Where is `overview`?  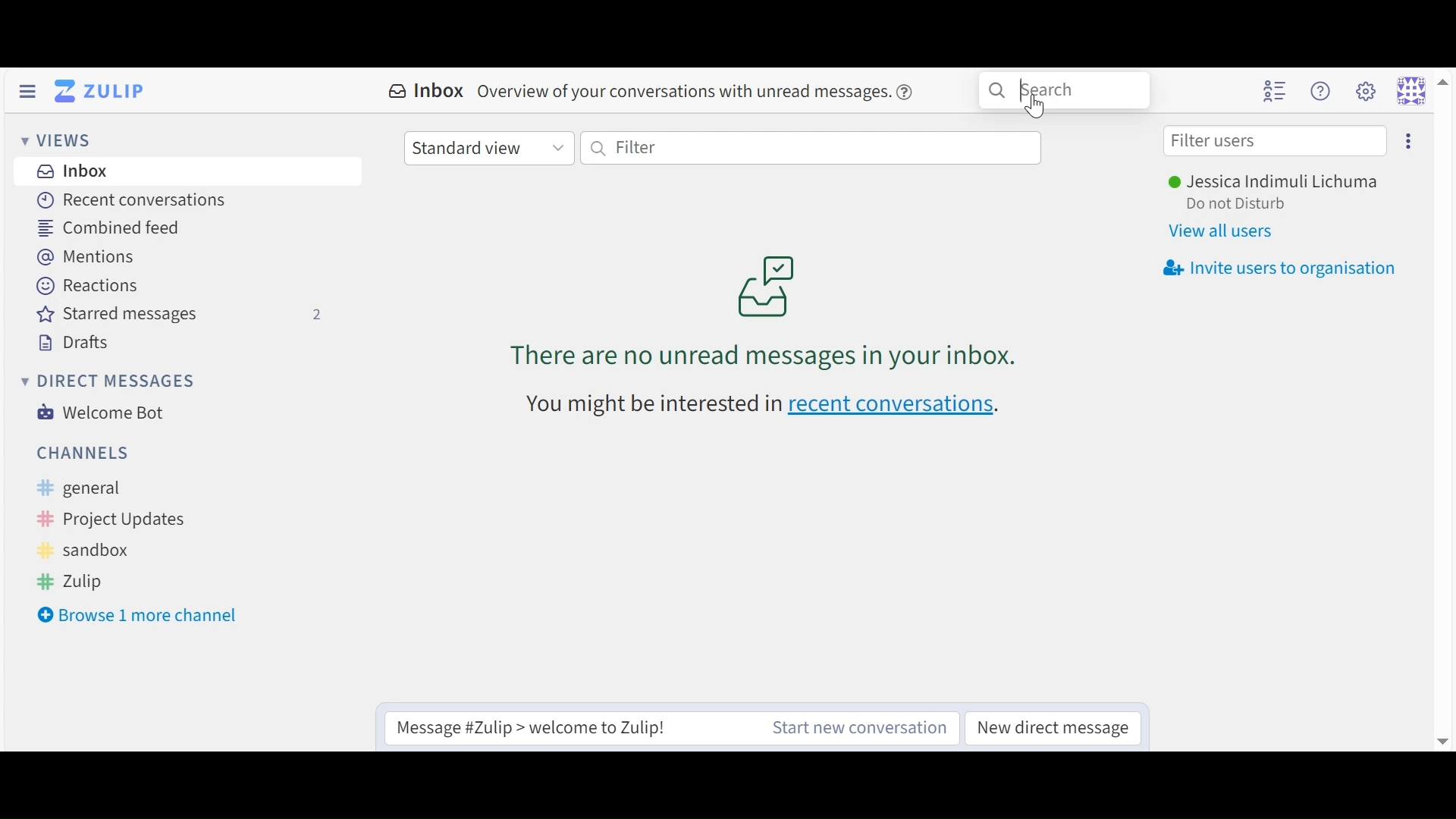 overview is located at coordinates (704, 96).